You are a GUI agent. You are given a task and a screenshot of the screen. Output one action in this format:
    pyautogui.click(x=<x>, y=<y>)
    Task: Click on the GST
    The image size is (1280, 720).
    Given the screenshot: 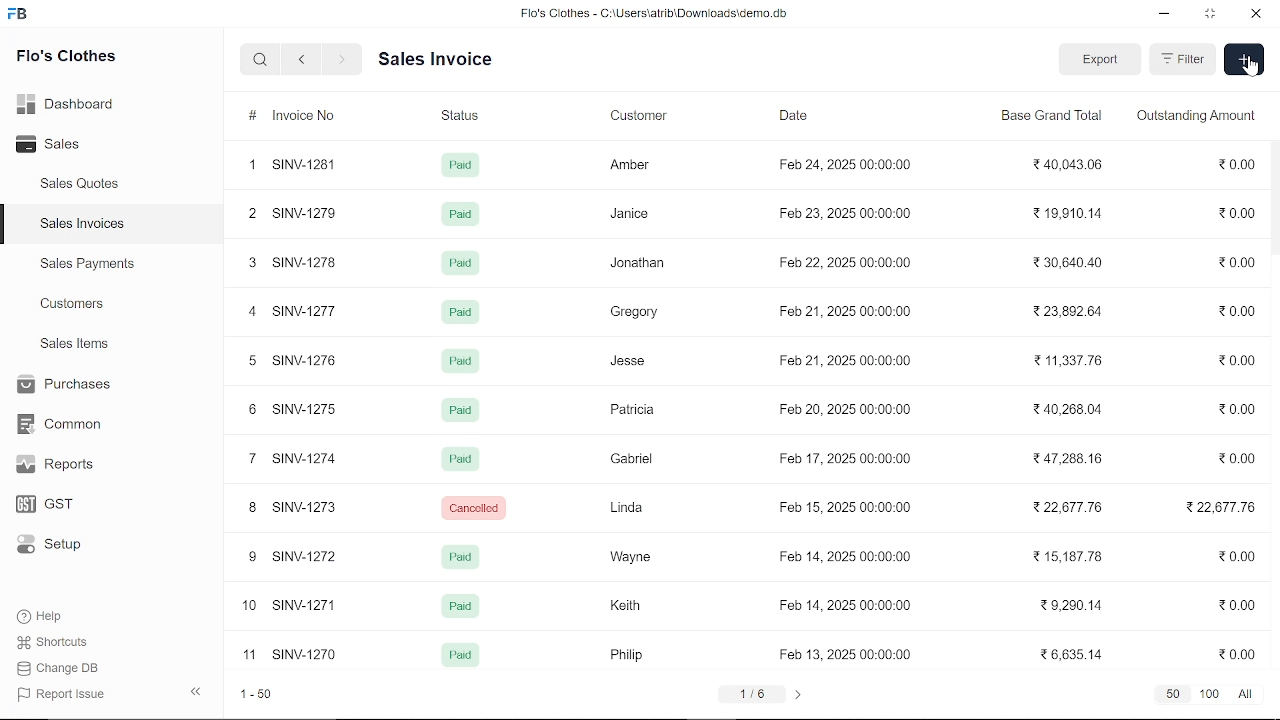 What is the action you would take?
    pyautogui.click(x=55, y=501)
    